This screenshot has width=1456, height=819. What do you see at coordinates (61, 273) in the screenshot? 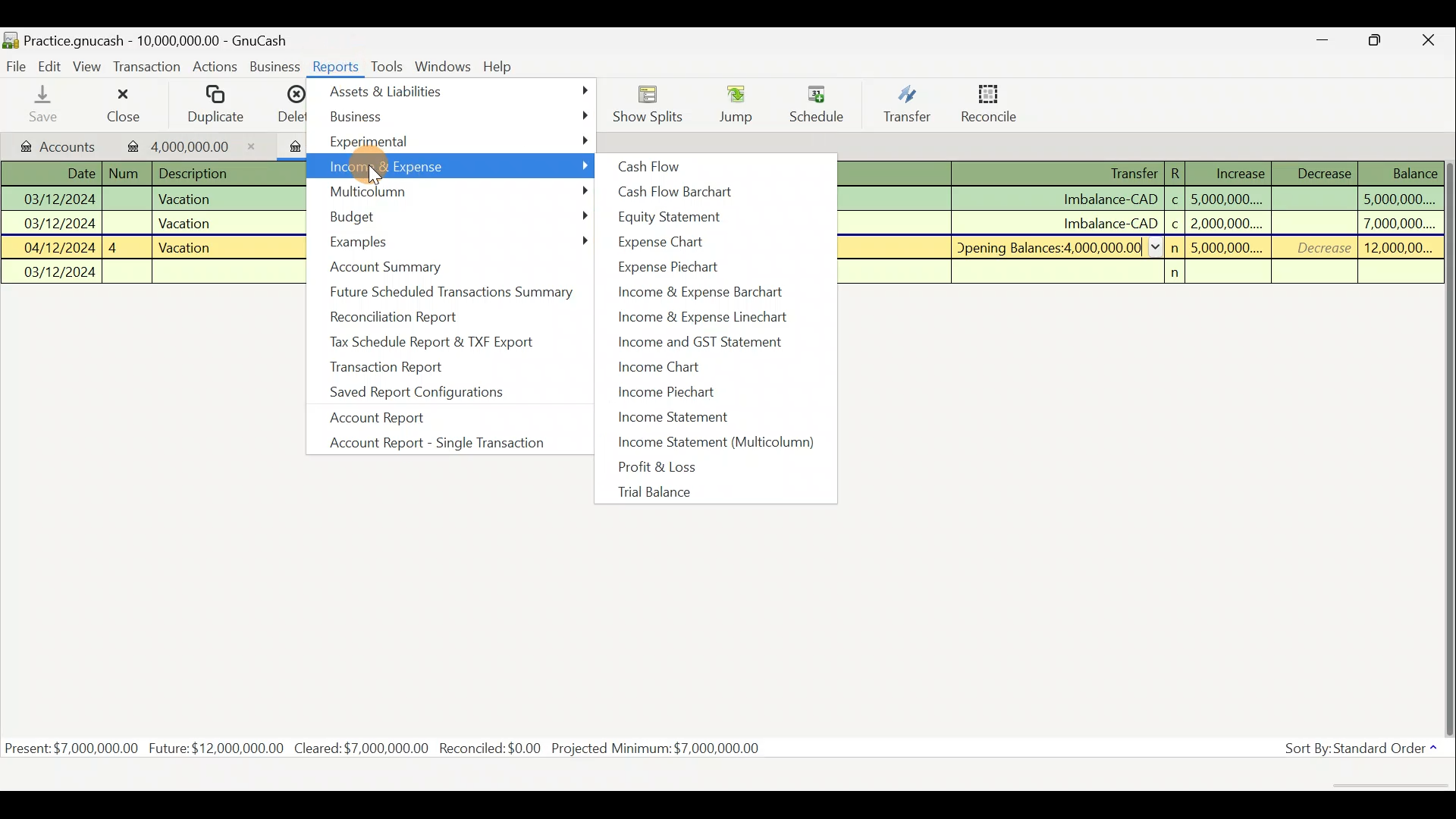
I see `03/12/2024` at bounding box center [61, 273].